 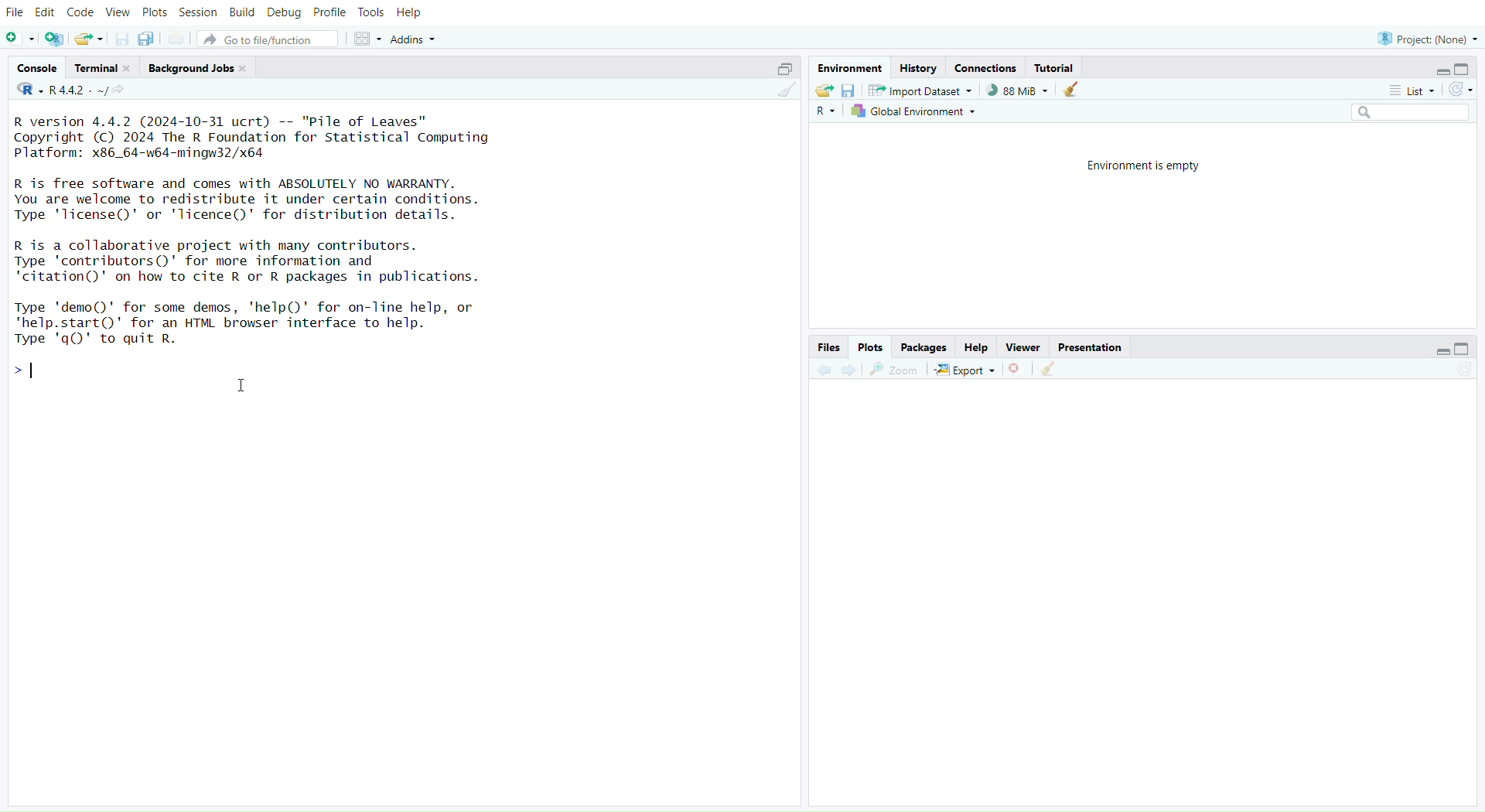 What do you see at coordinates (893, 370) in the screenshot?
I see `zoom` at bounding box center [893, 370].